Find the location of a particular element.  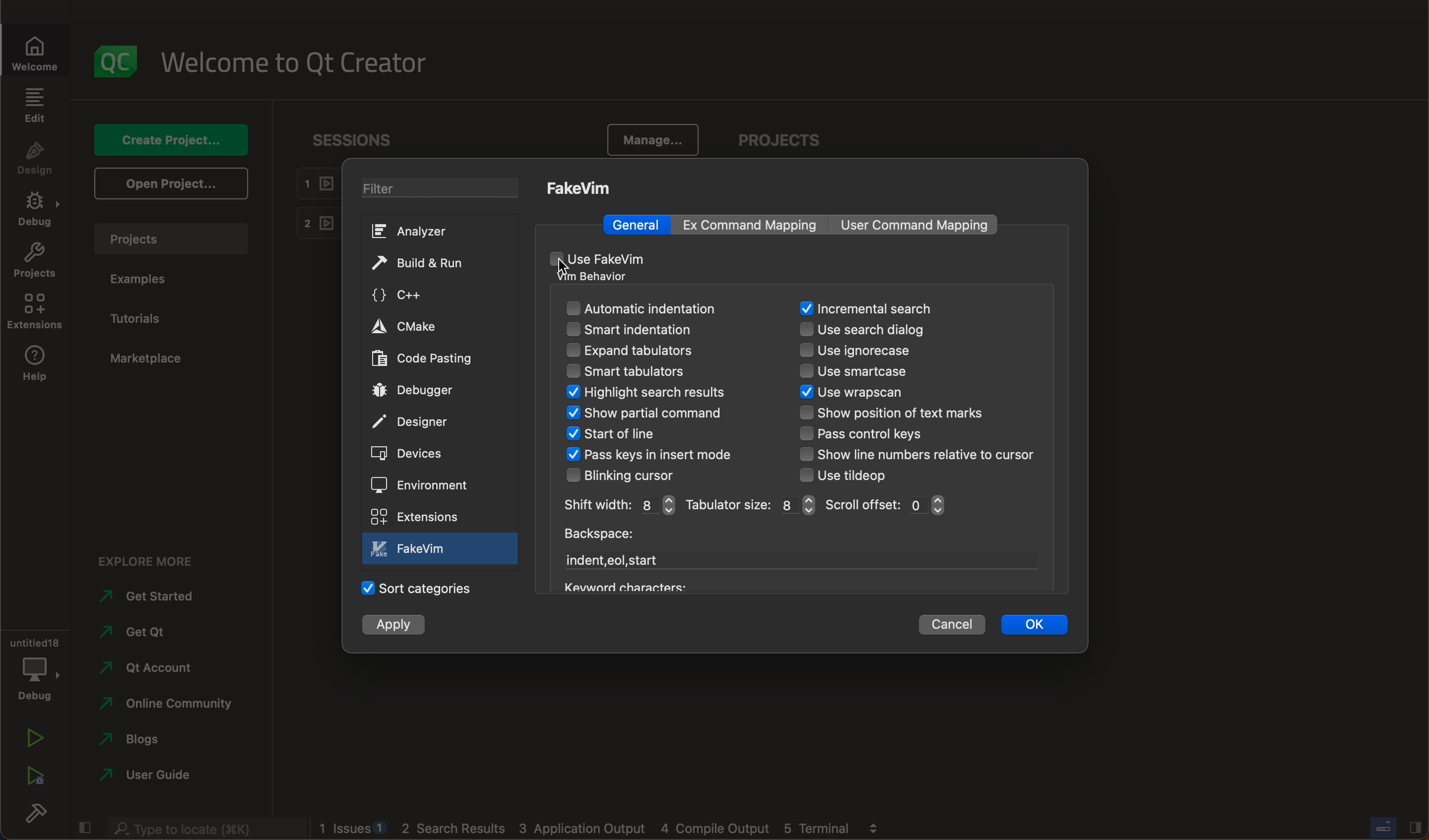

build and run is located at coordinates (426, 264).